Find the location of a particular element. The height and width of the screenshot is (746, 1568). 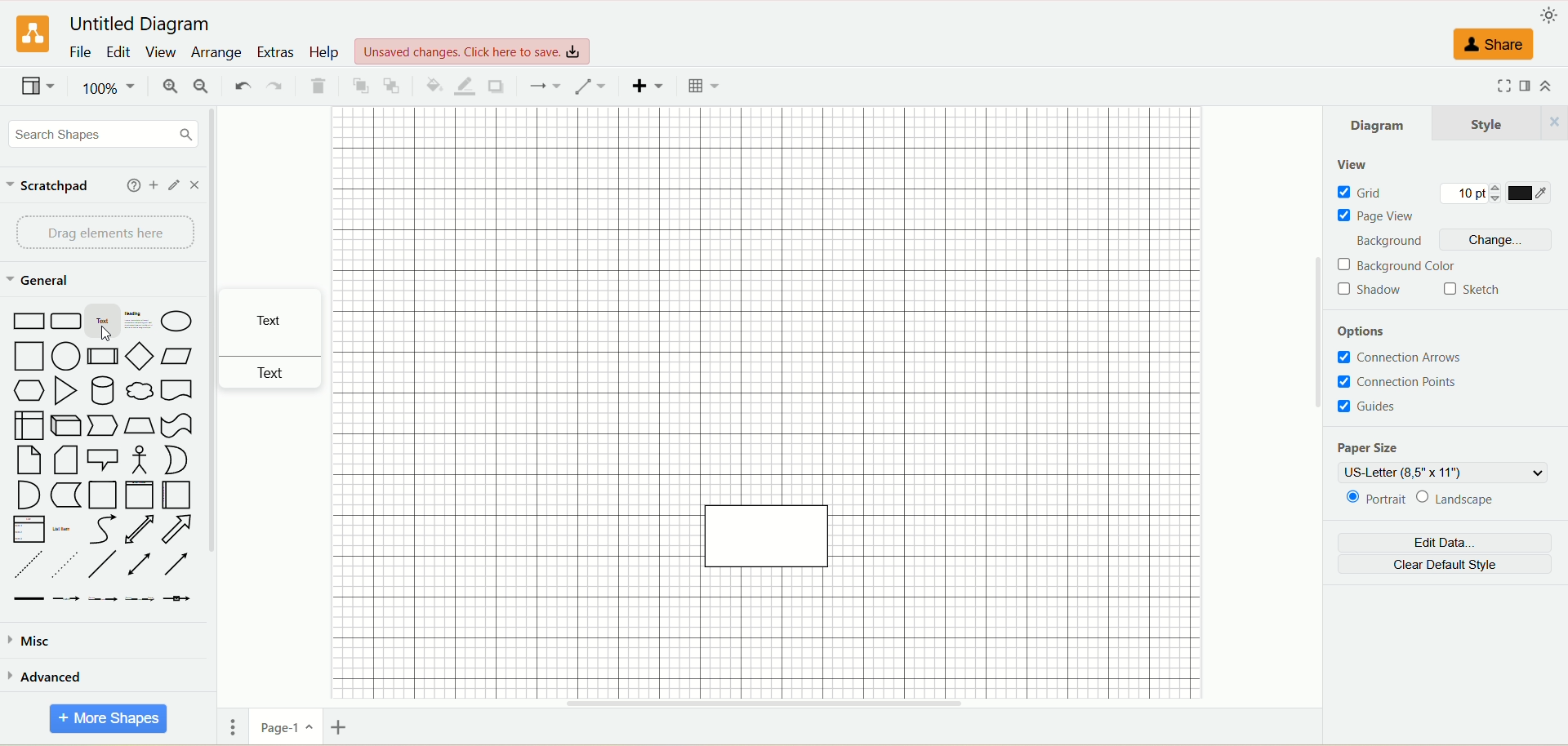

container is located at coordinates (104, 494).